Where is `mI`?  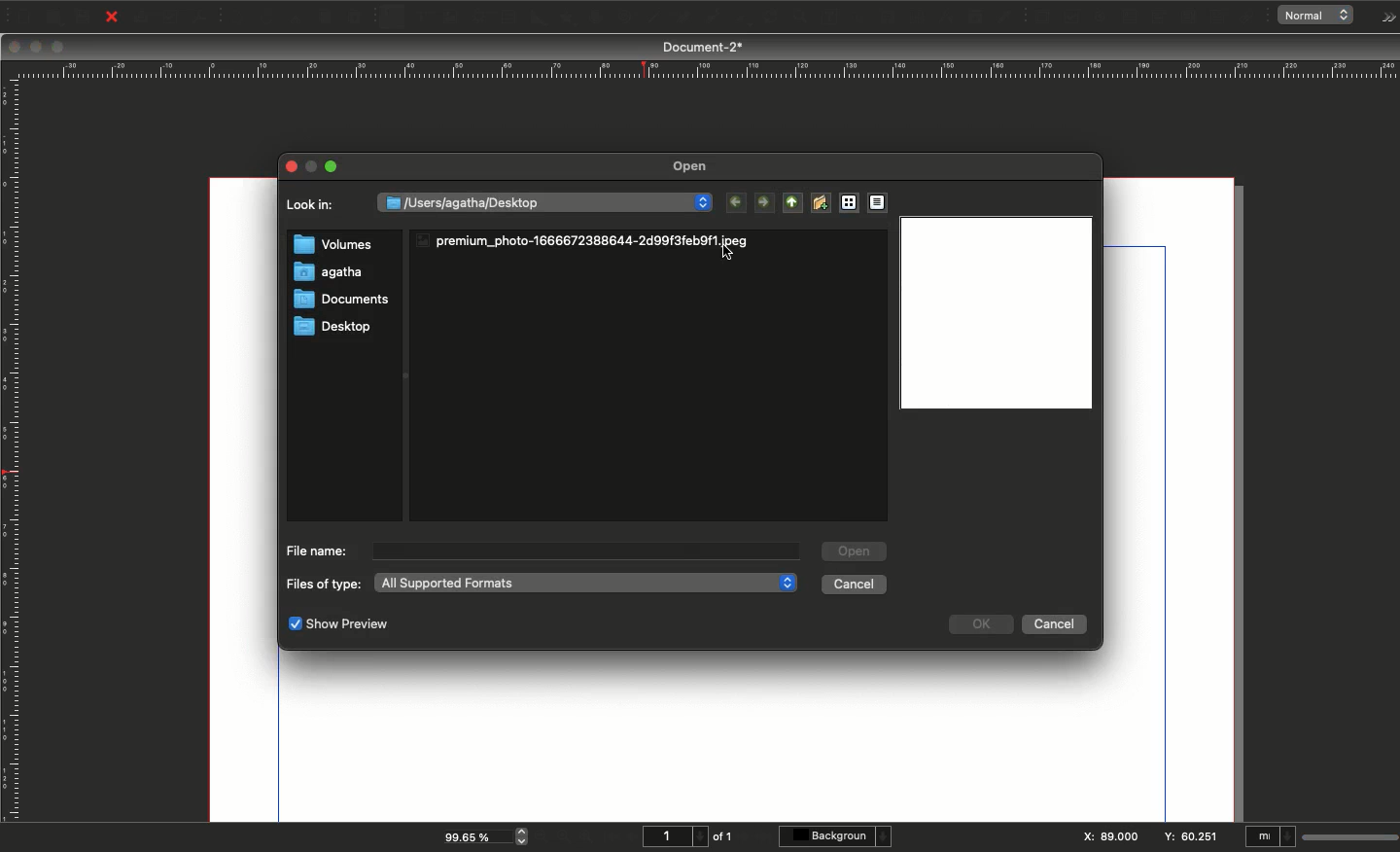 mI is located at coordinates (1271, 838).